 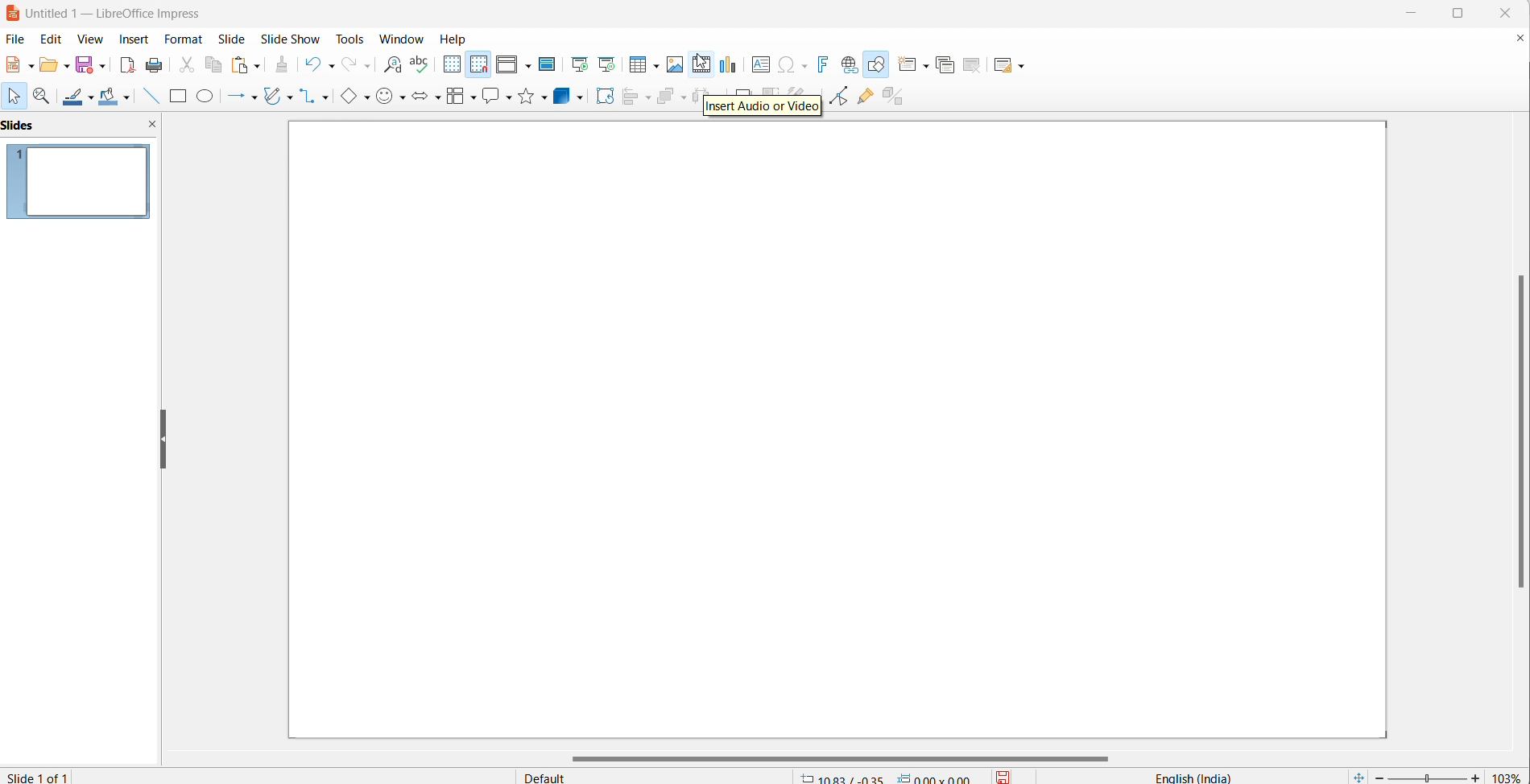 What do you see at coordinates (207, 97) in the screenshot?
I see `ellipse` at bounding box center [207, 97].